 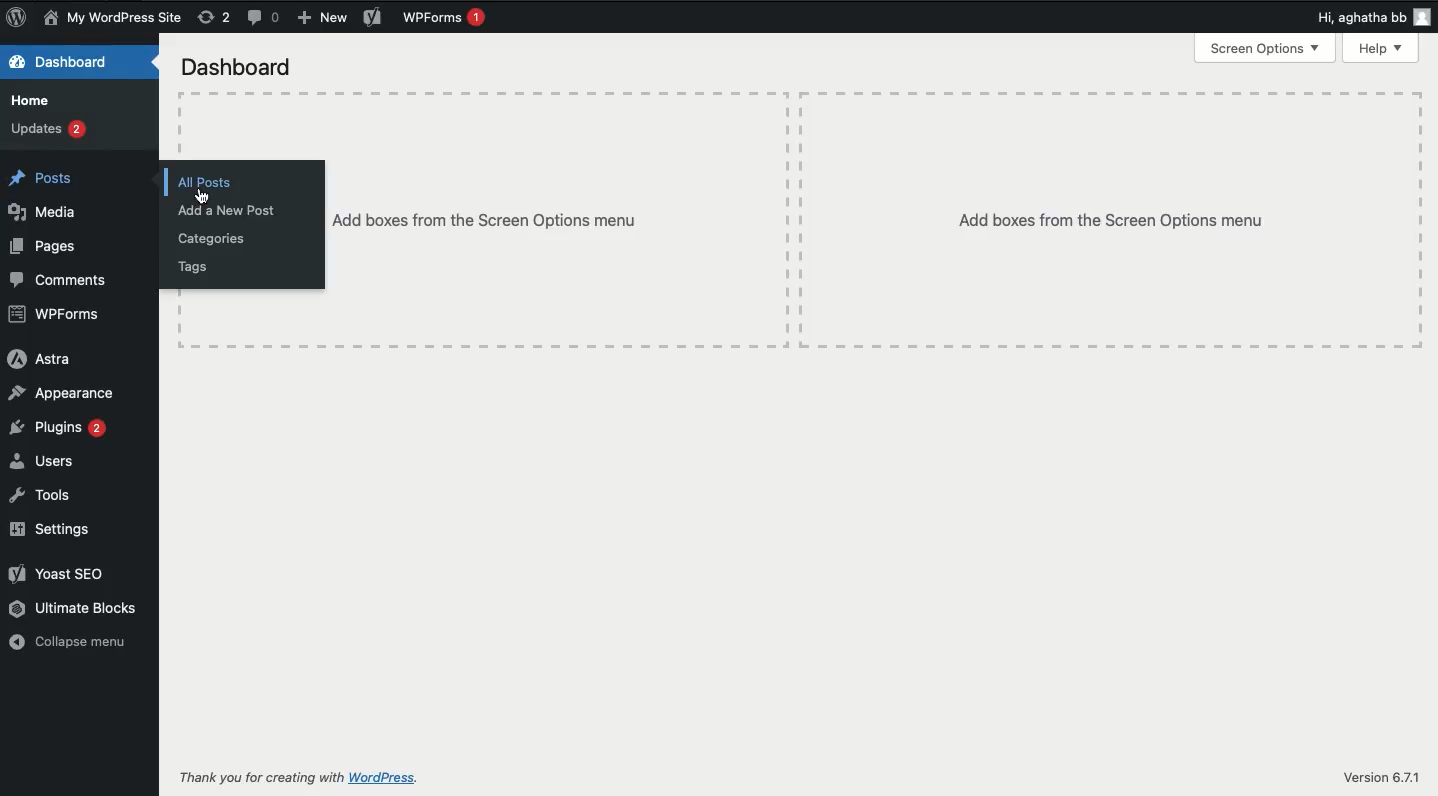 I want to click on Appearance , so click(x=64, y=393).